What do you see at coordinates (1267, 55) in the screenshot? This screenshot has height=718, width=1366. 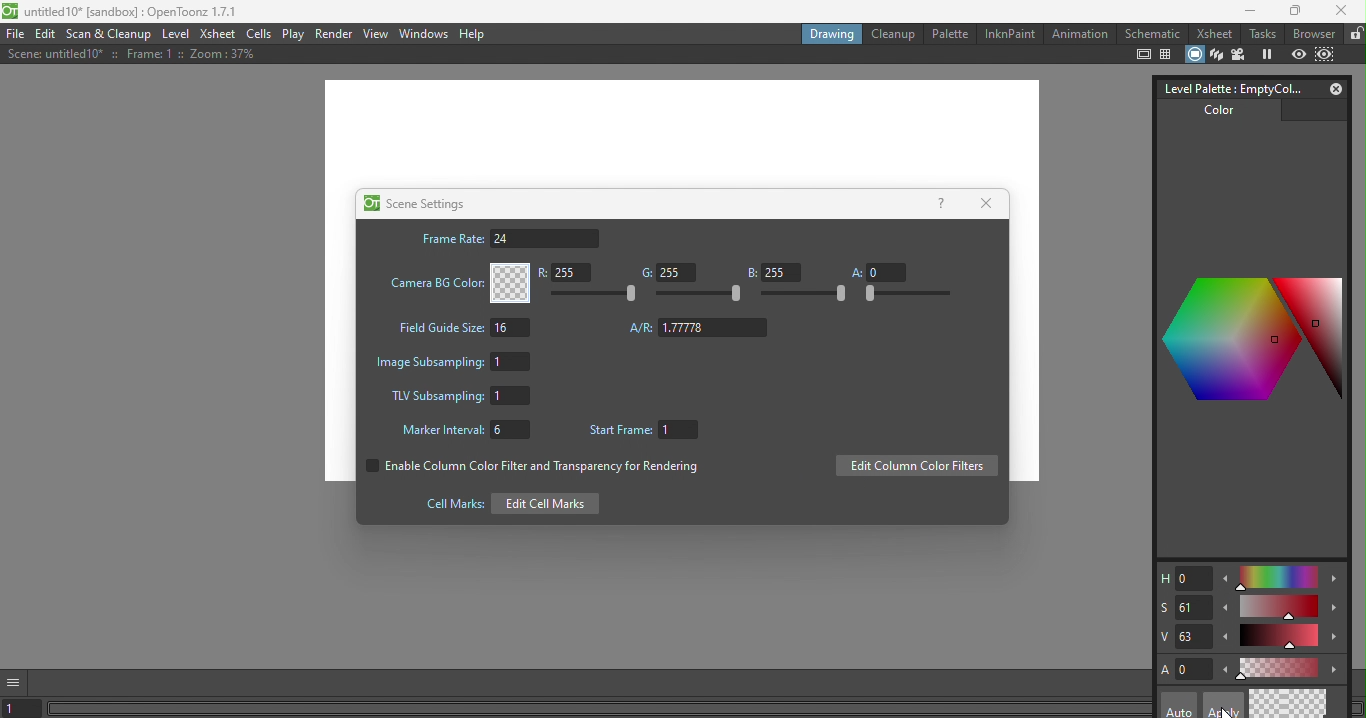 I see `Freeze` at bounding box center [1267, 55].